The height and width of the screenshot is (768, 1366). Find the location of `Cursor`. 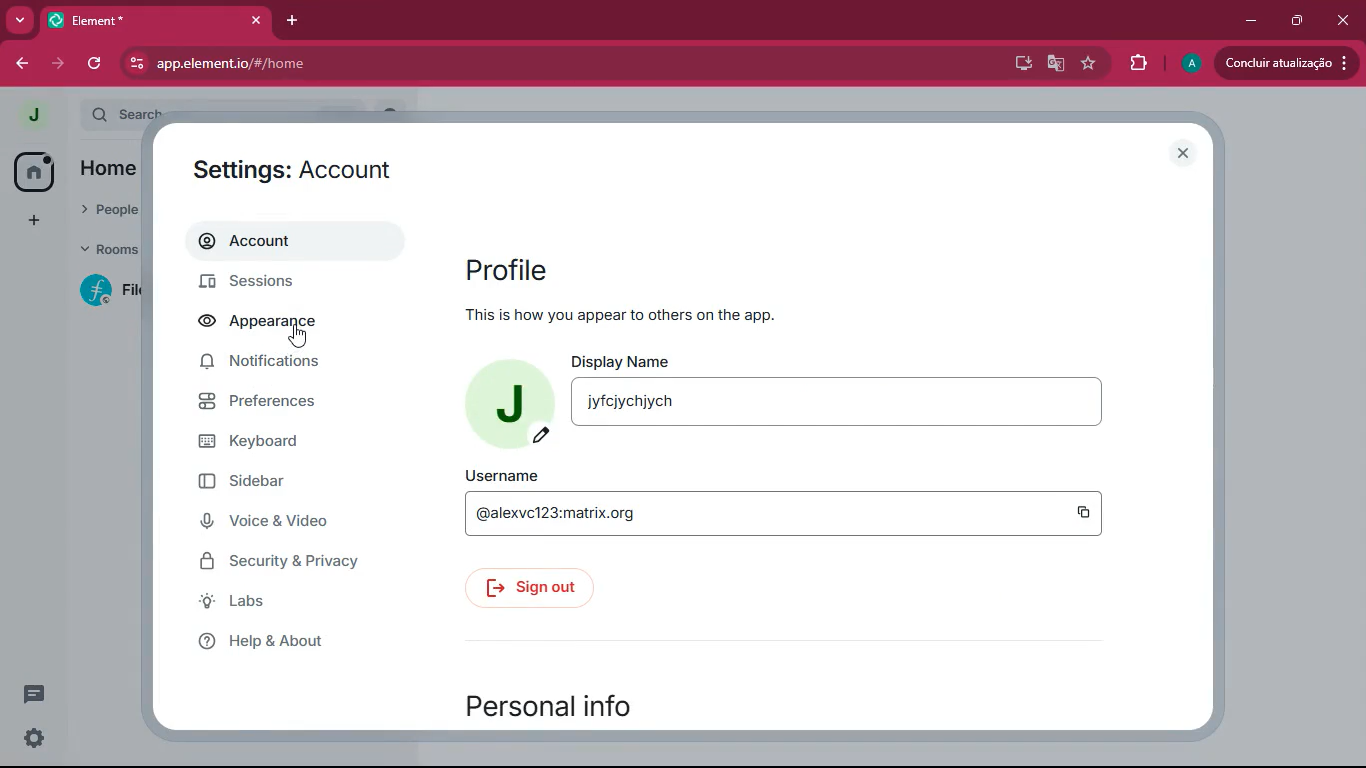

Cursor is located at coordinates (298, 336).